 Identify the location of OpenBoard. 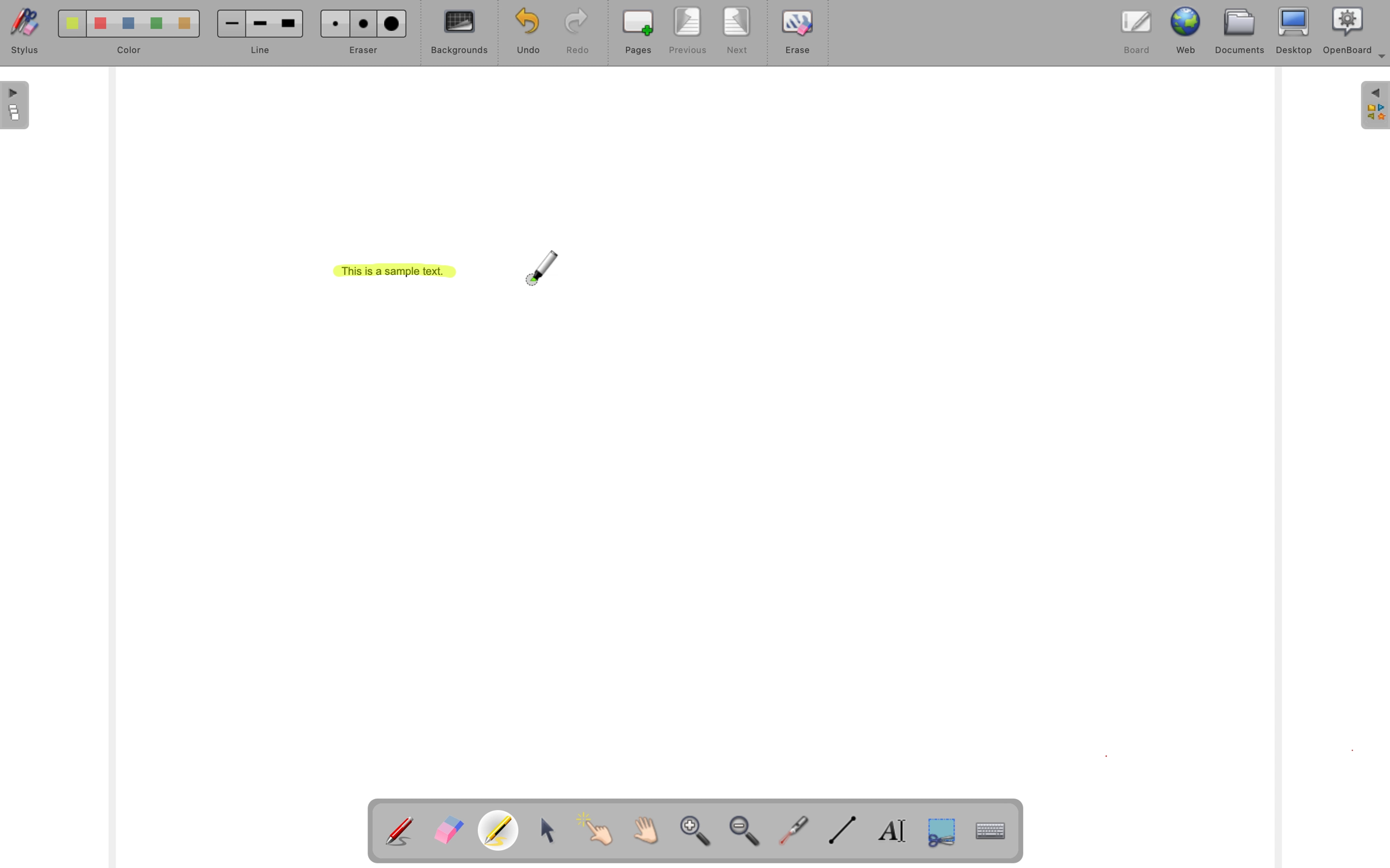
(1355, 32).